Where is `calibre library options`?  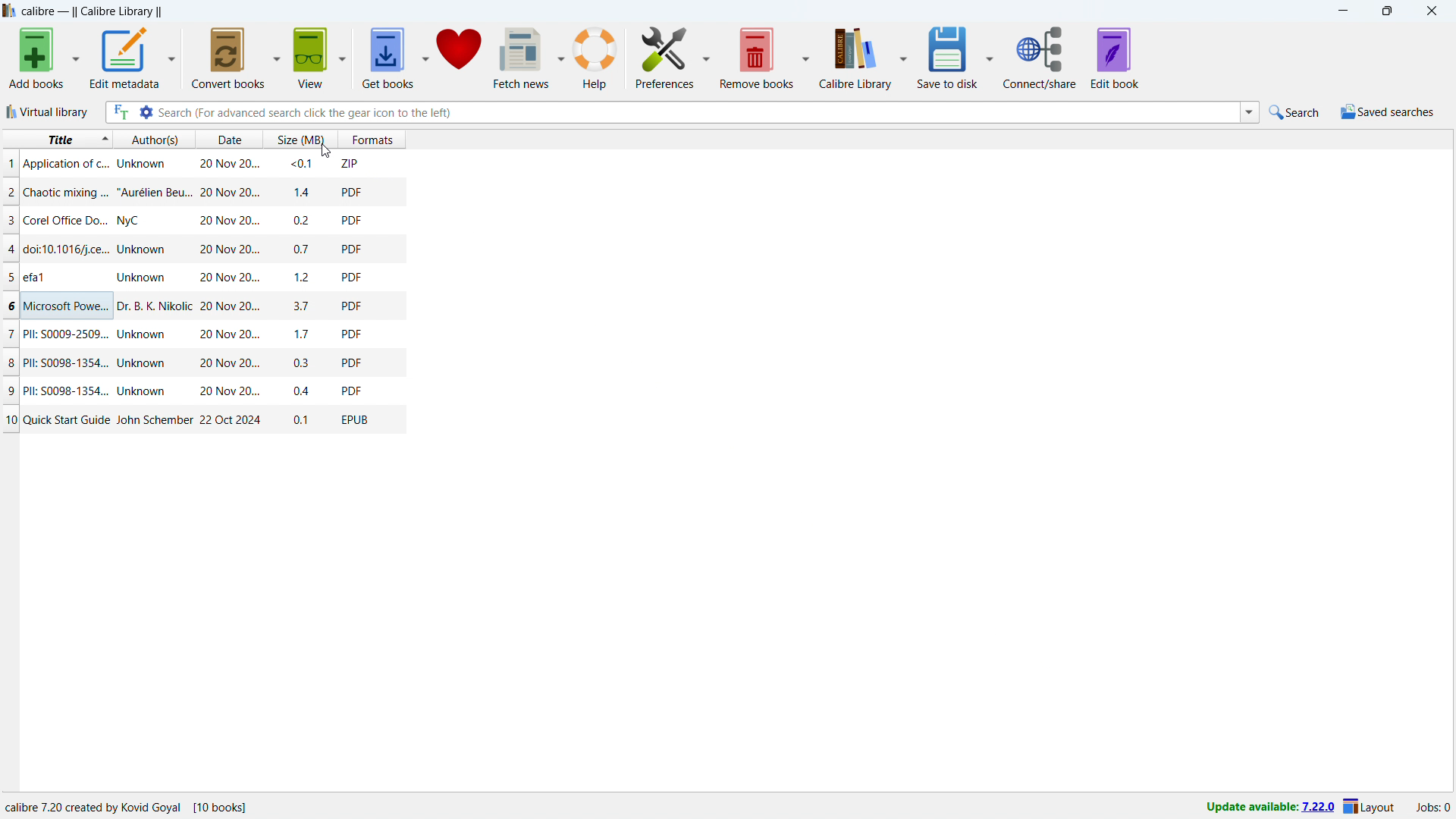 calibre library options is located at coordinates (902, 56).